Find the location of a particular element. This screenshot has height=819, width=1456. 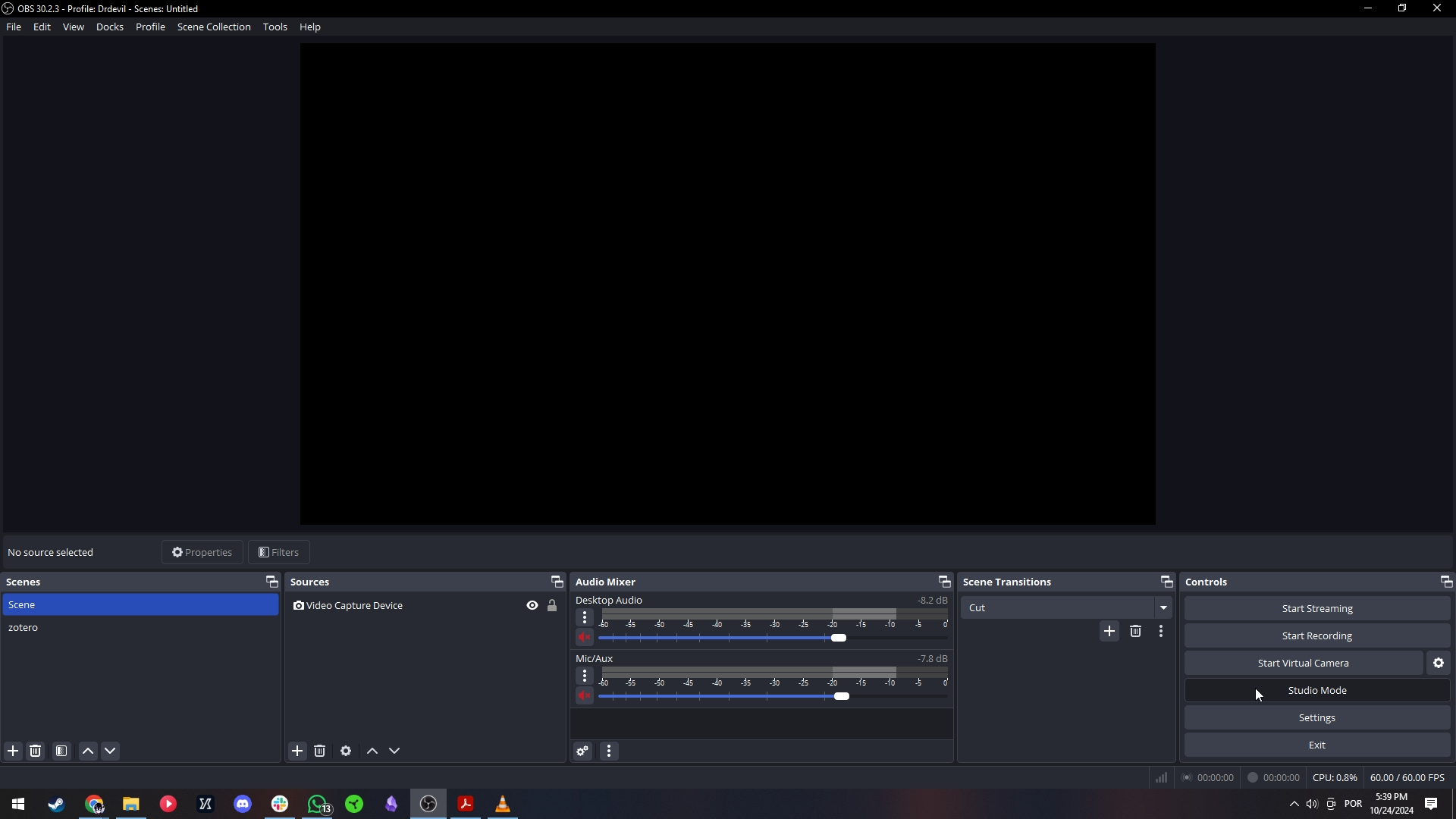

Output UI is located at coordinates (724, 287).